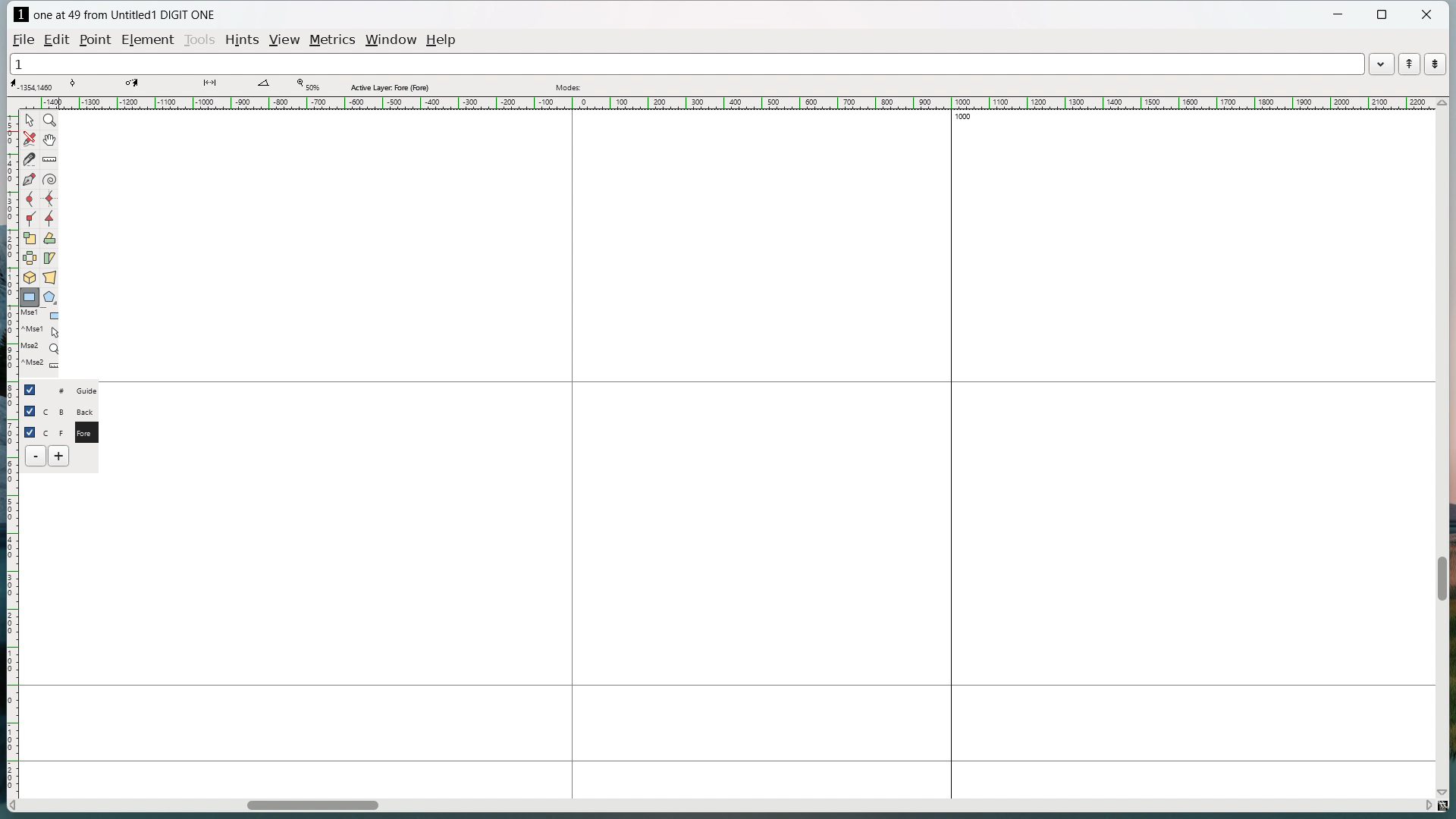 Image resolution: width=1456 pixels, height=819 pixels. Describe the element at coordinates (59, 39) in the screenshot. I see `edit` at that location.